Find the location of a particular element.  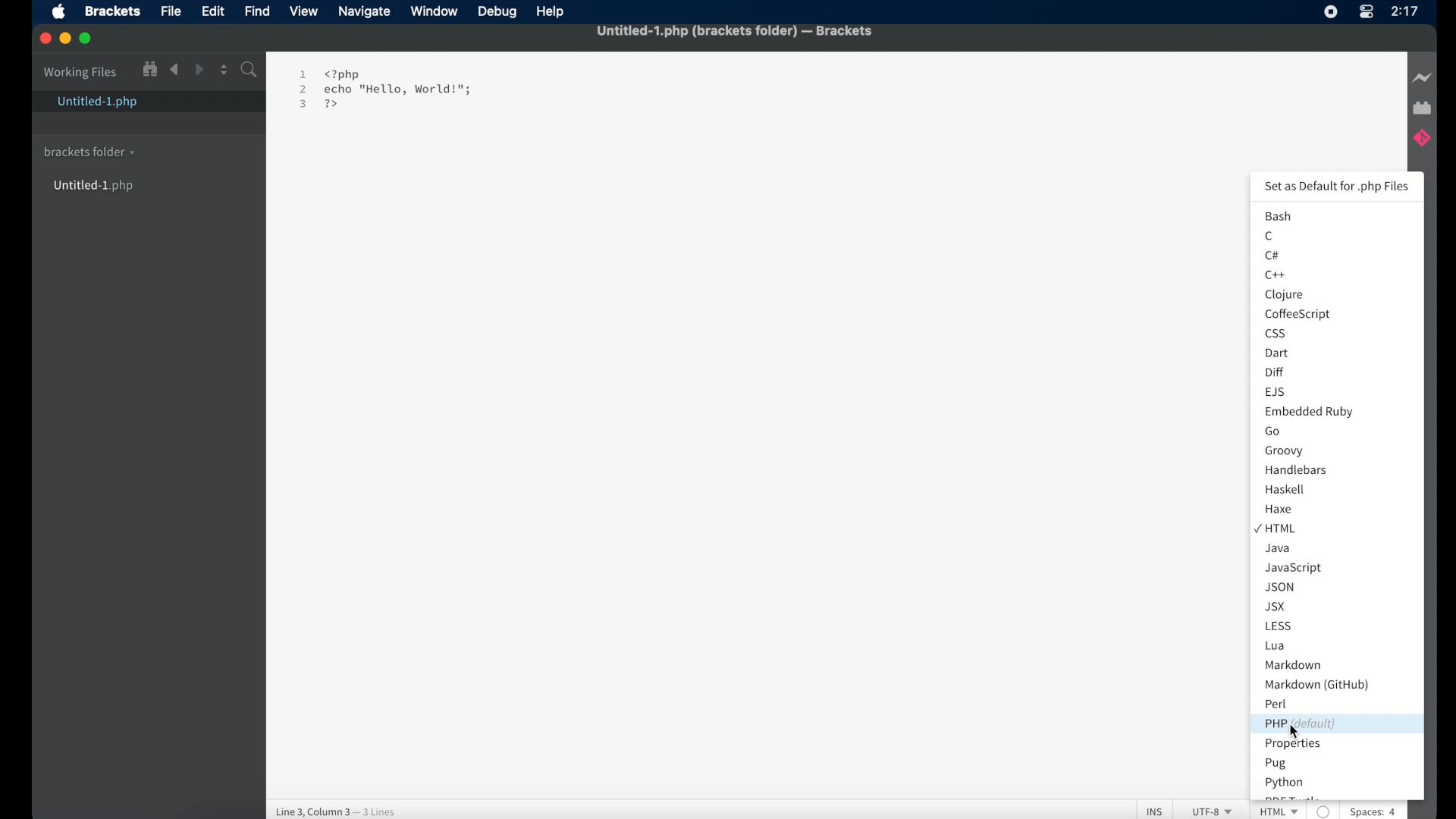

diff is located at coordinates (1276, 373).